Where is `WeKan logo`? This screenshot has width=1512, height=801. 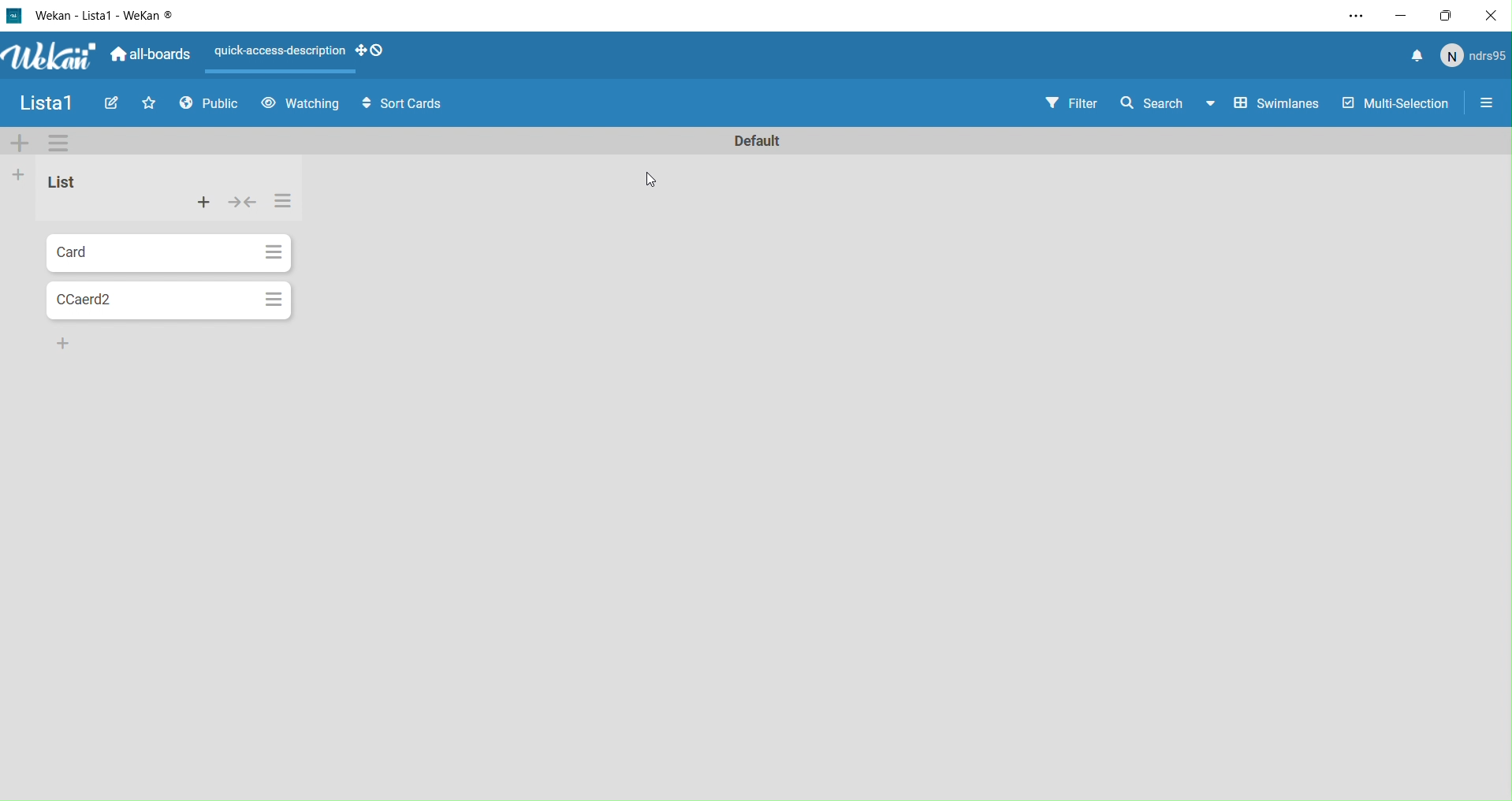
WeKan logo is located at coordinates (53, 55).